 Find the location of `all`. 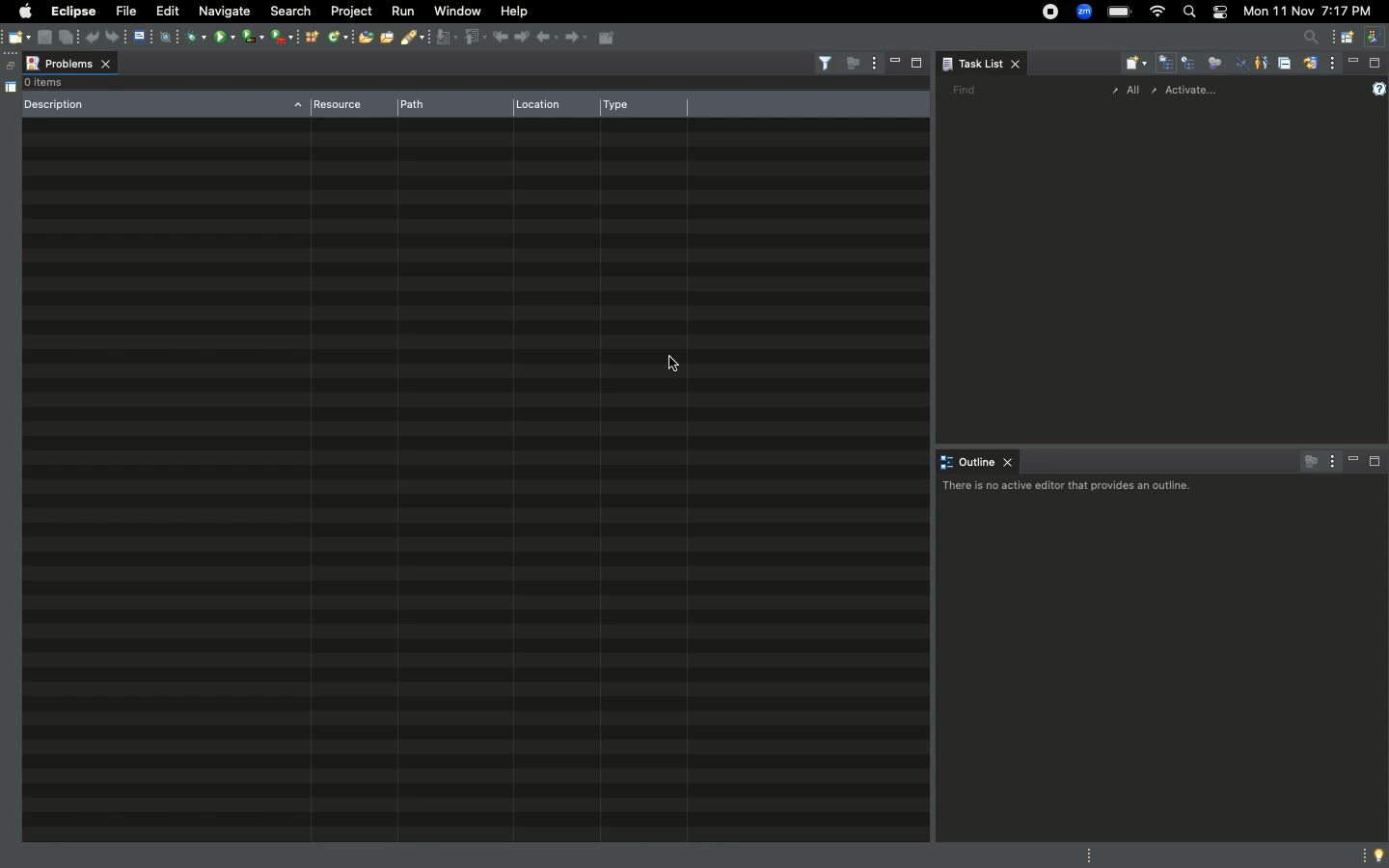

all is located at coordinates (1127, 92).